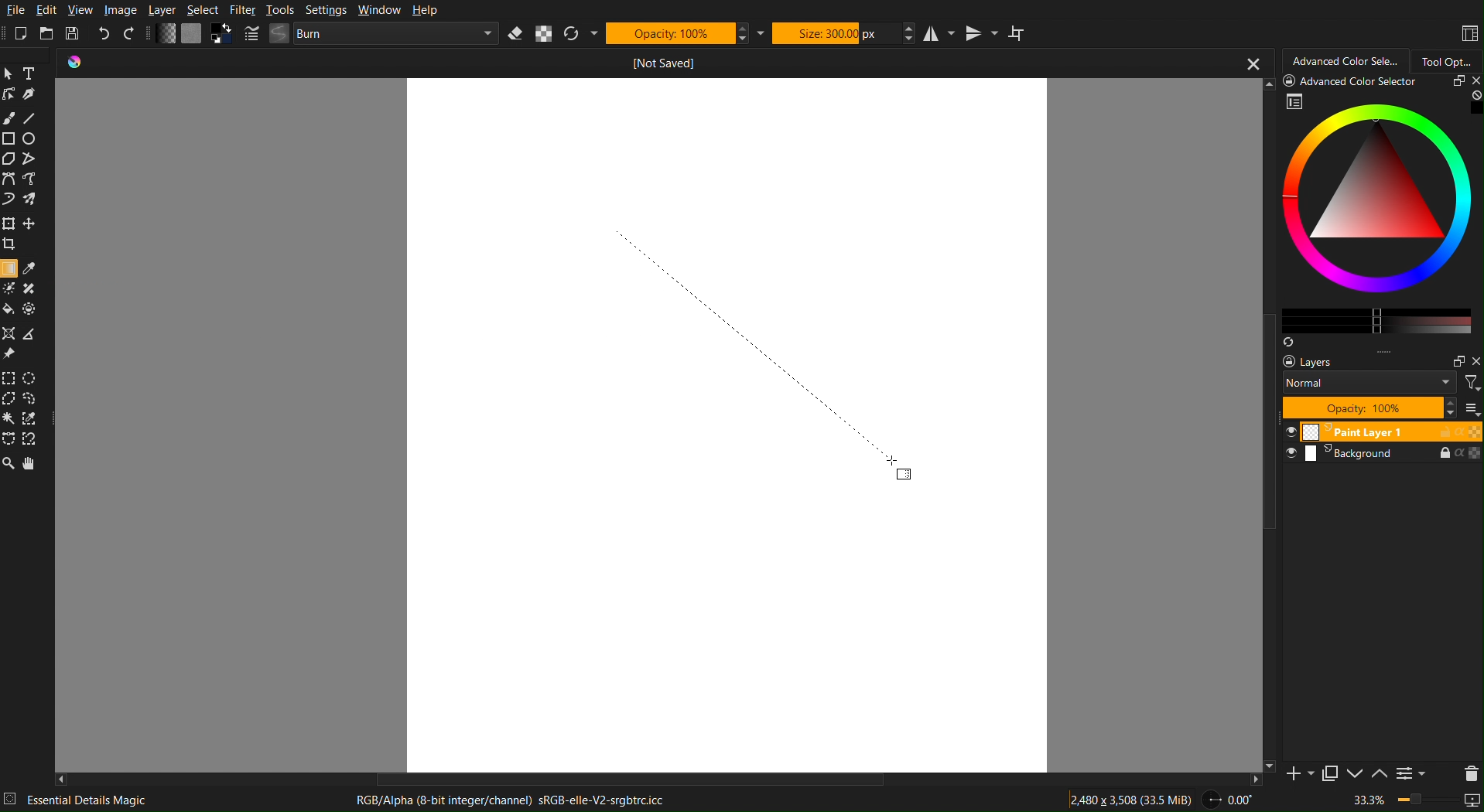 The width and height of the screenshot is (1484, 812). Describe the element at coordinates (11, 73) in the screenshot. I see `Pointer` at that location.